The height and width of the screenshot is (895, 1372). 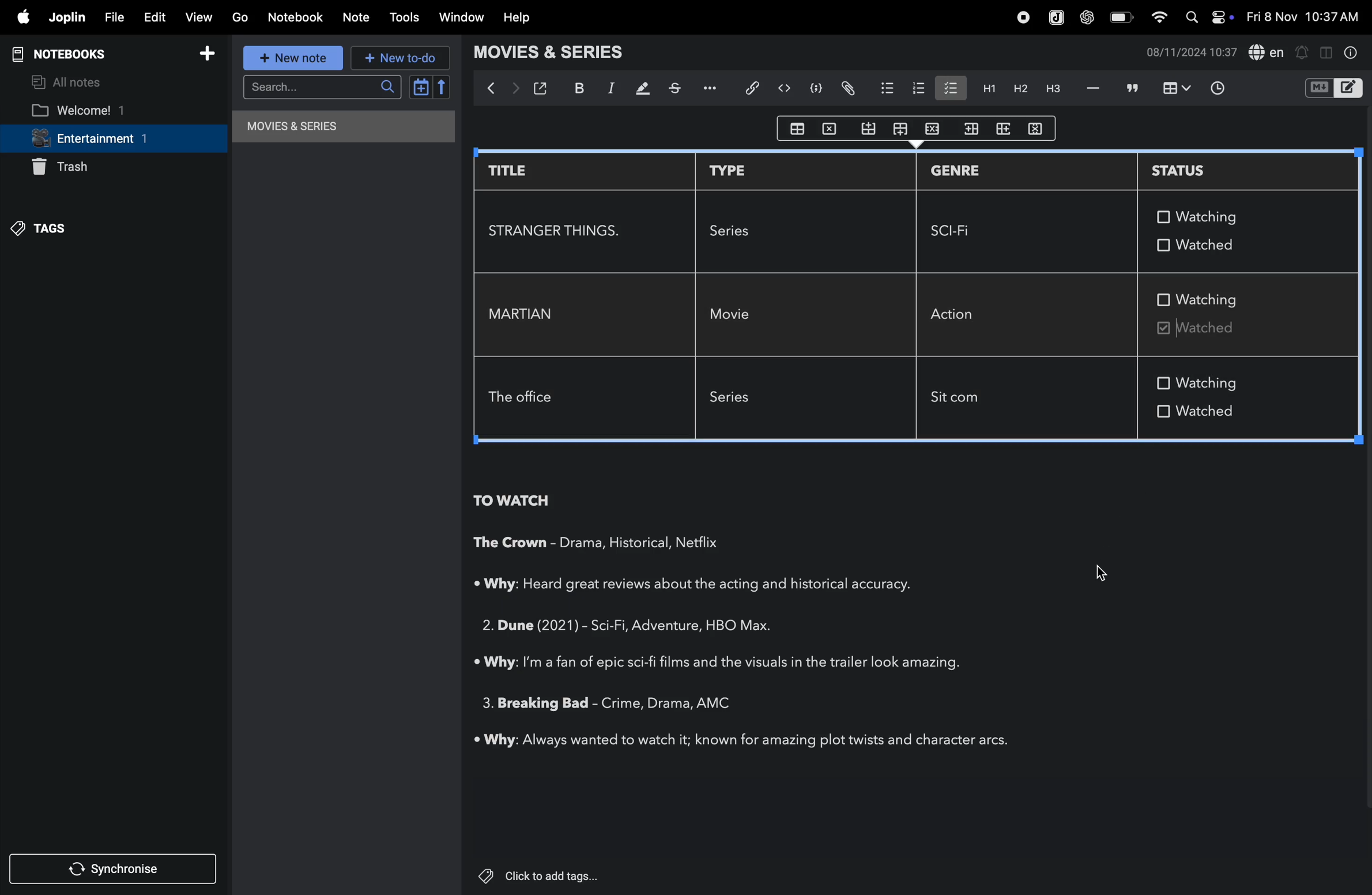 I want to click on sitcom, so click(x=963, y=400).